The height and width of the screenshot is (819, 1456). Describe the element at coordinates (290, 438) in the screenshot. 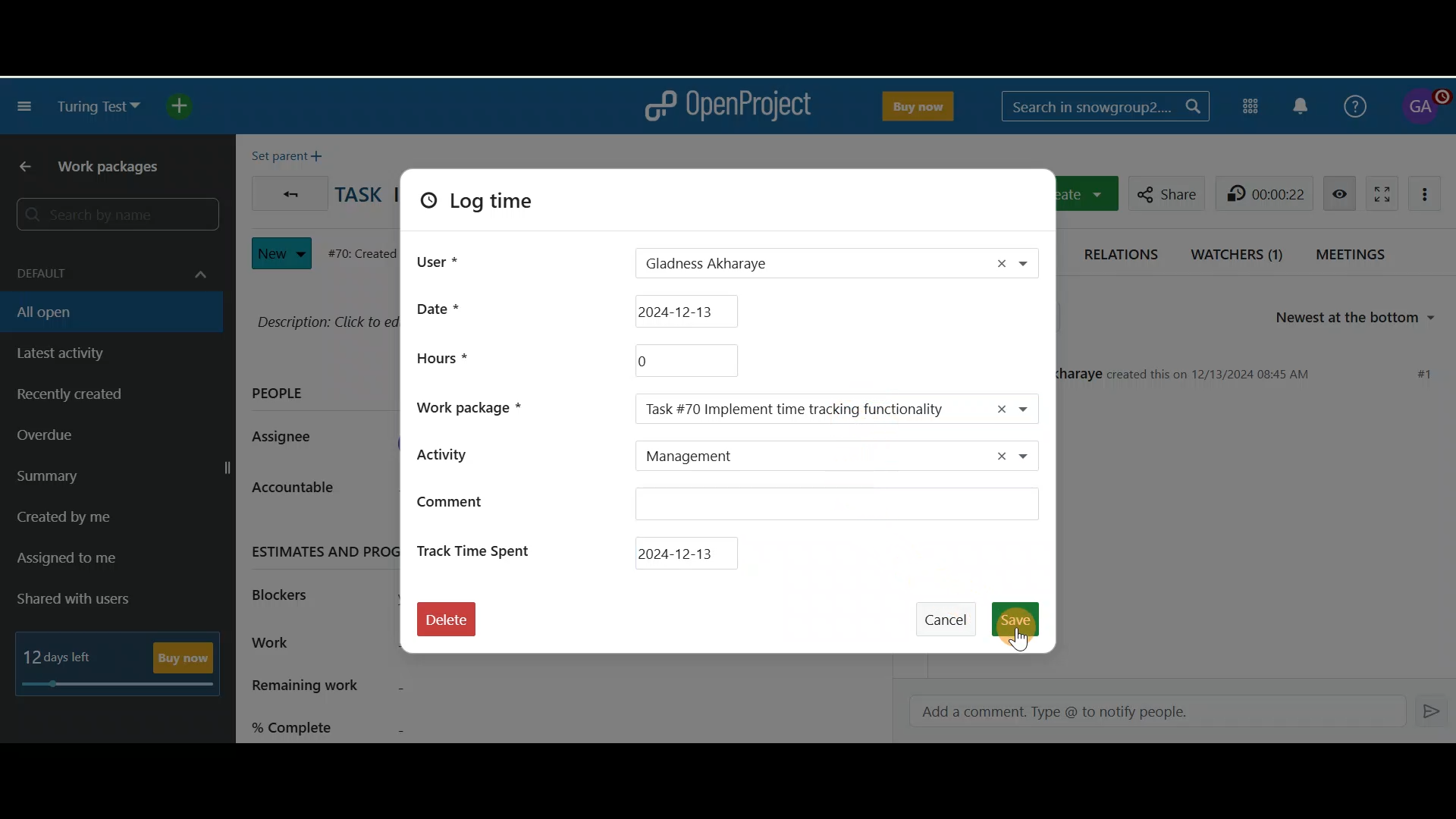

I see `Assignee` at that location.